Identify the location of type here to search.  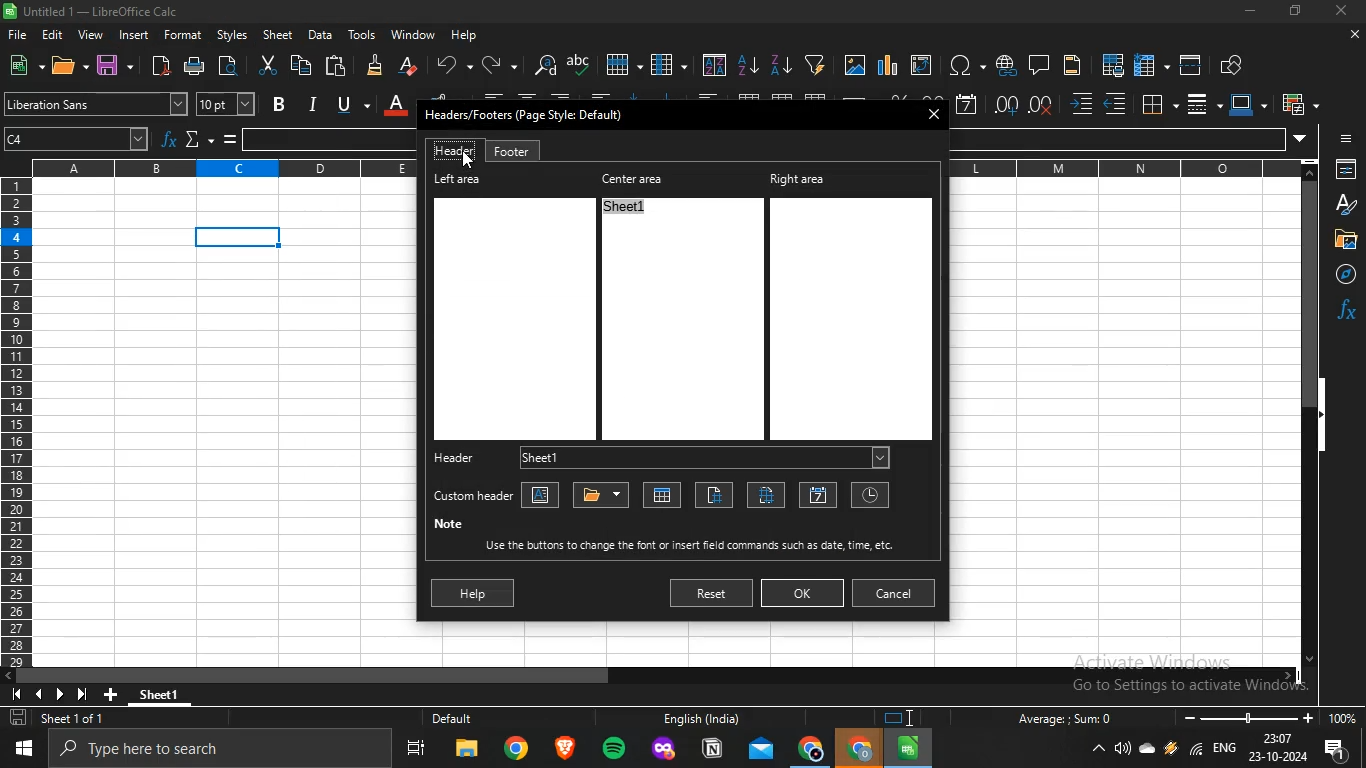
(225, 750).